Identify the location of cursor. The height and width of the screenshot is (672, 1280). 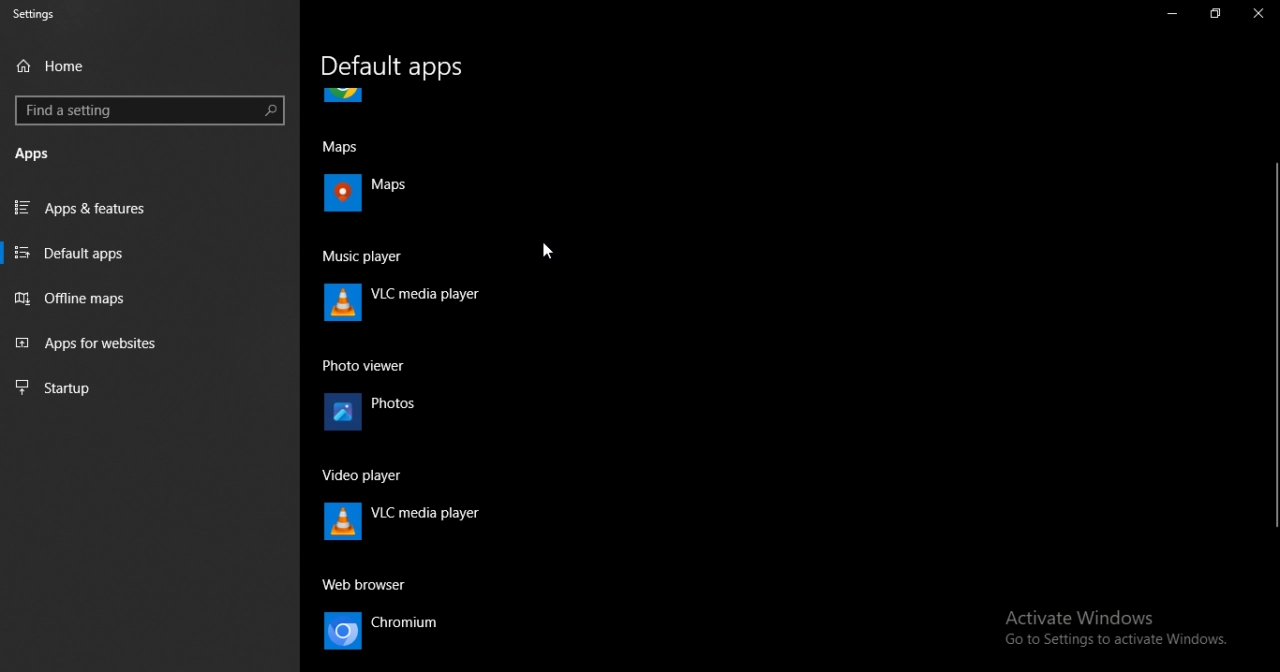
(553, 249).